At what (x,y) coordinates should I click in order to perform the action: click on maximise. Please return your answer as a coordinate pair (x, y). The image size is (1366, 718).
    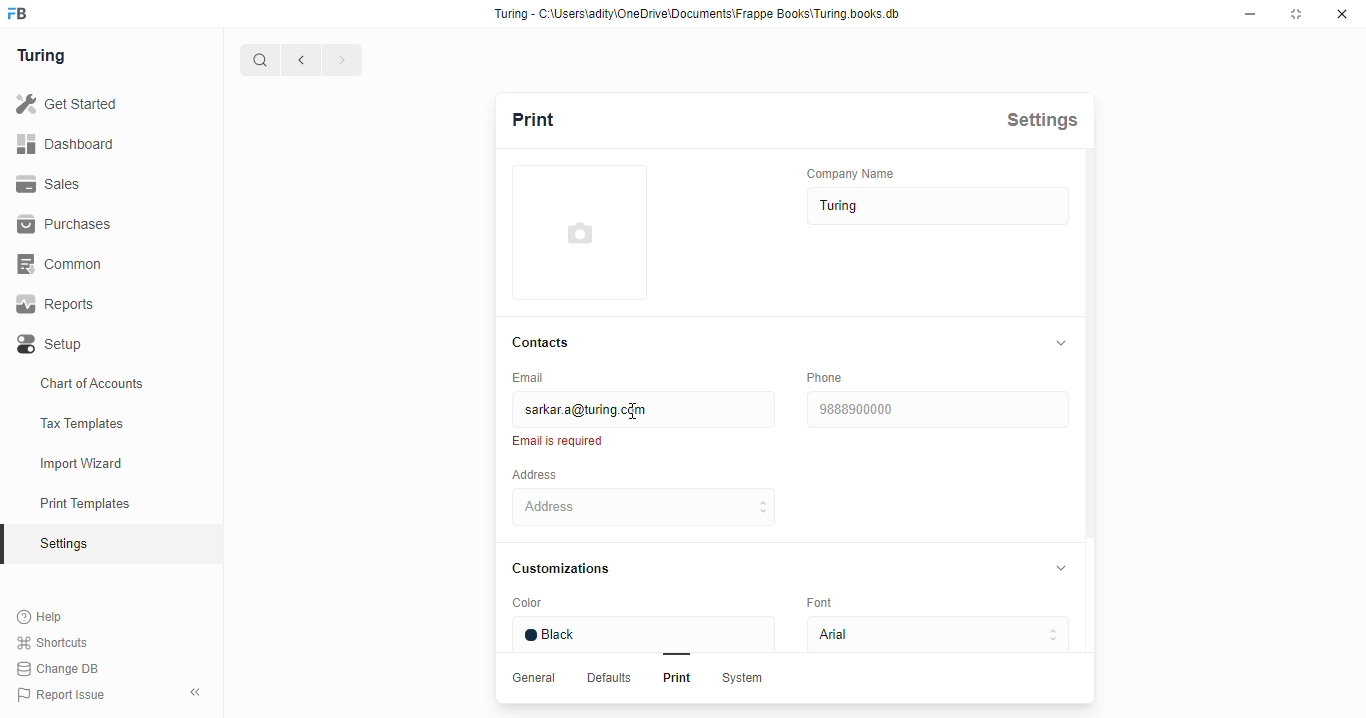
    Looking at the image, I should click on (1299, 15).